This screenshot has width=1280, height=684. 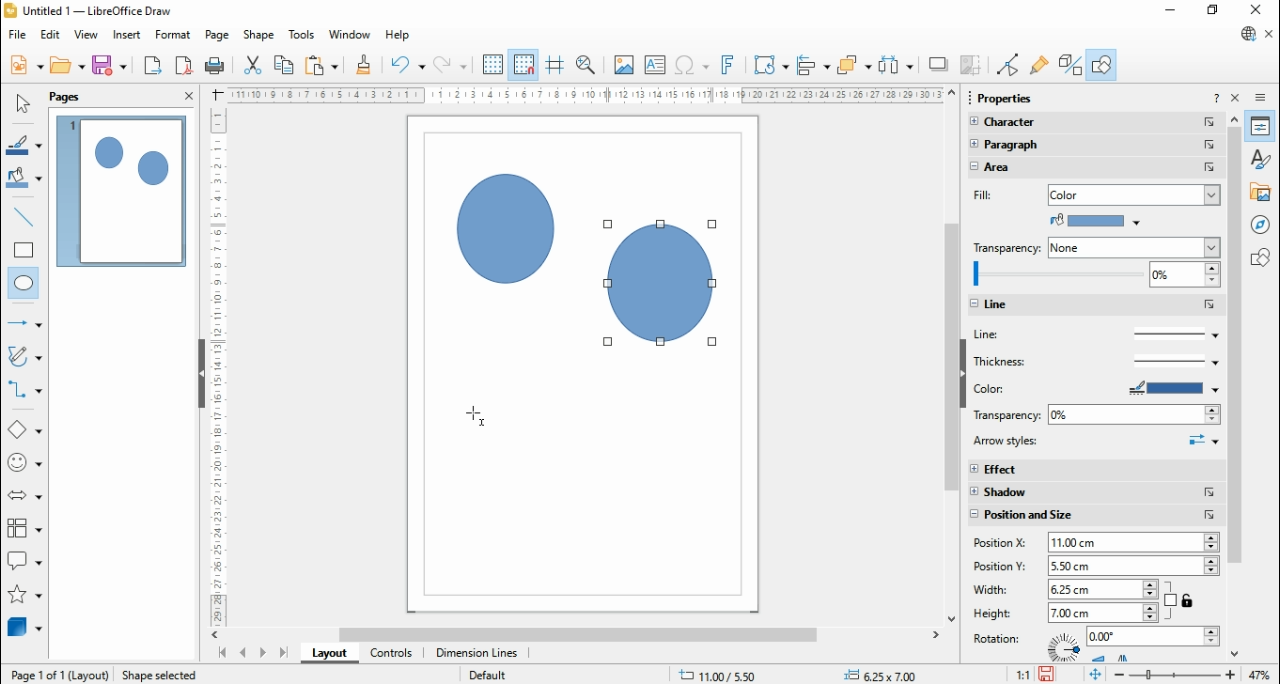 I want to click on align  objects, so click(x=813, y=65).